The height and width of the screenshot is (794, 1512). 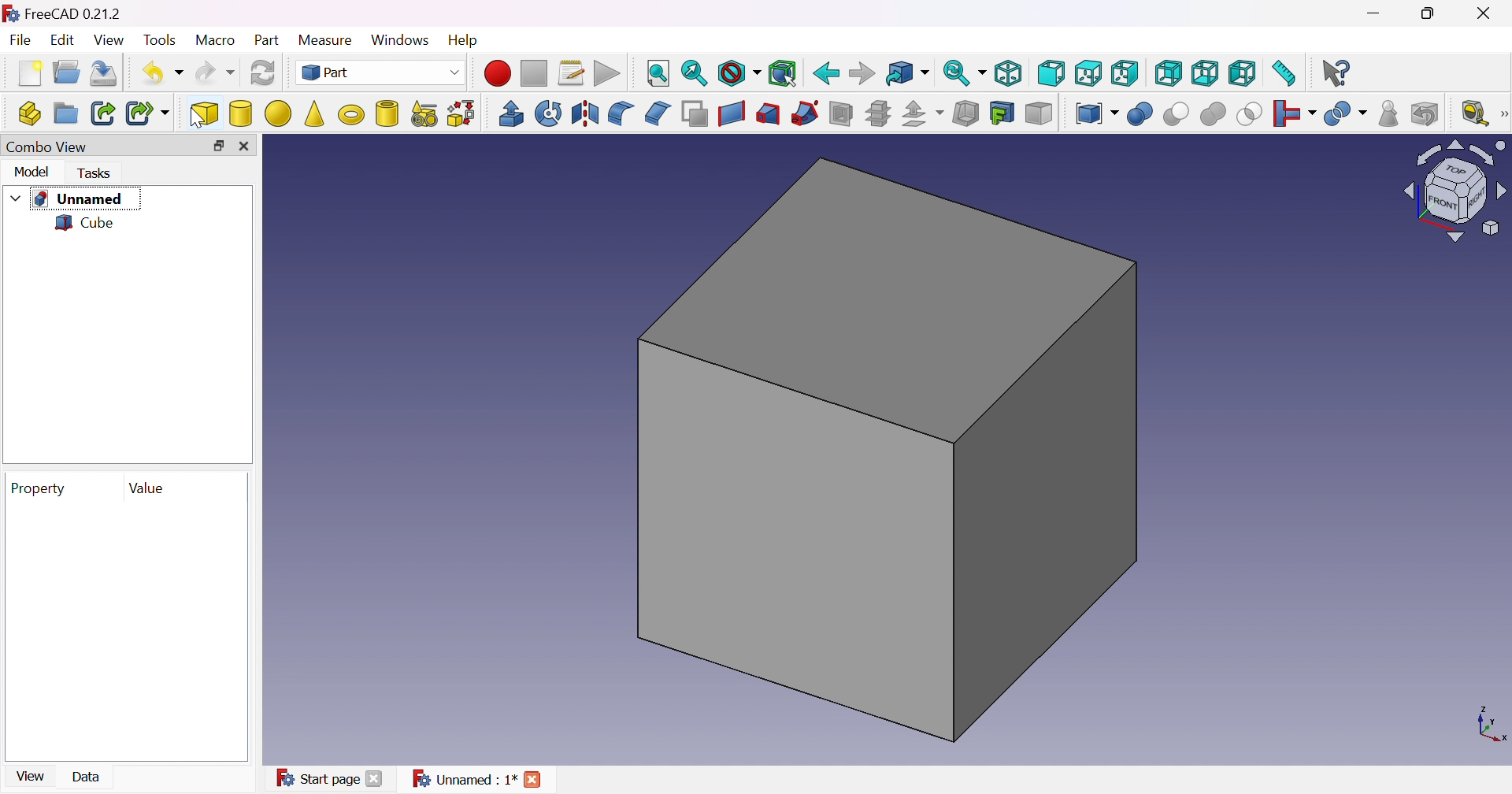 I want to click on Save, so click(x=103, y=72).